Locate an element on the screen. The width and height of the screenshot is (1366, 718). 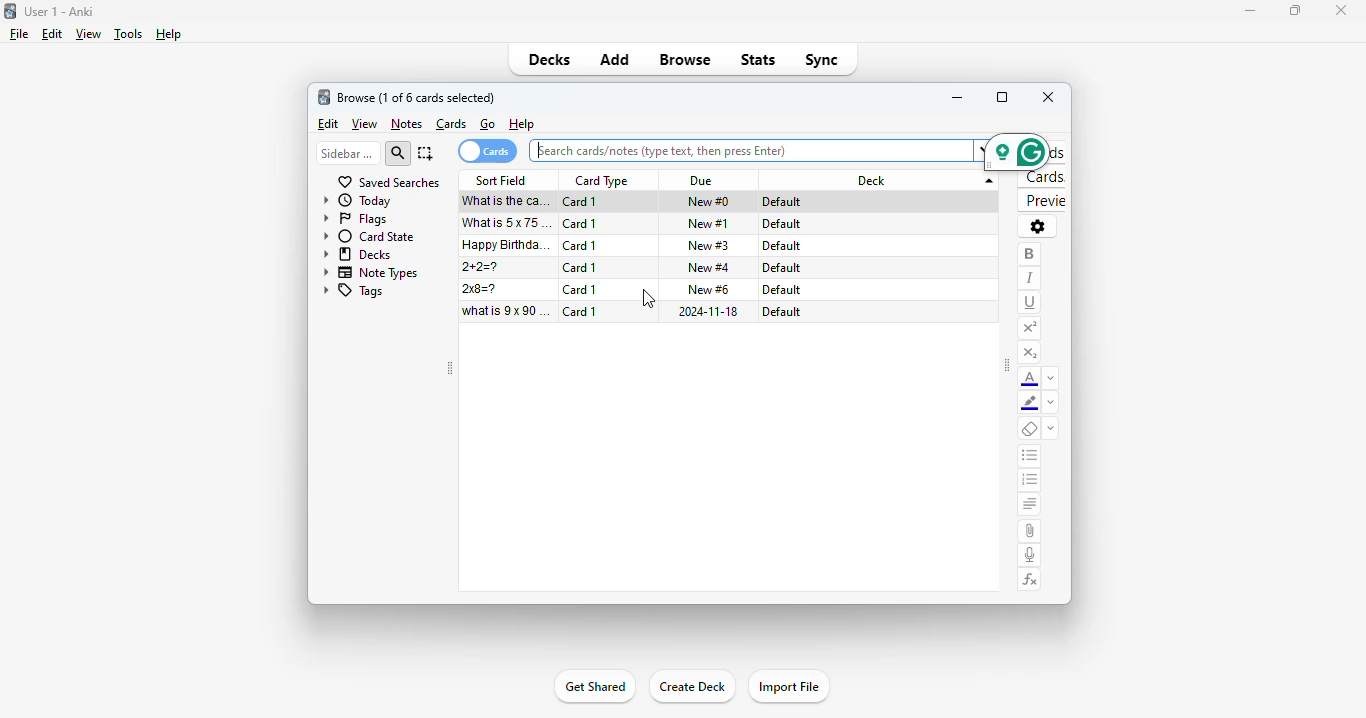
default is located at coordinates (782, 246).